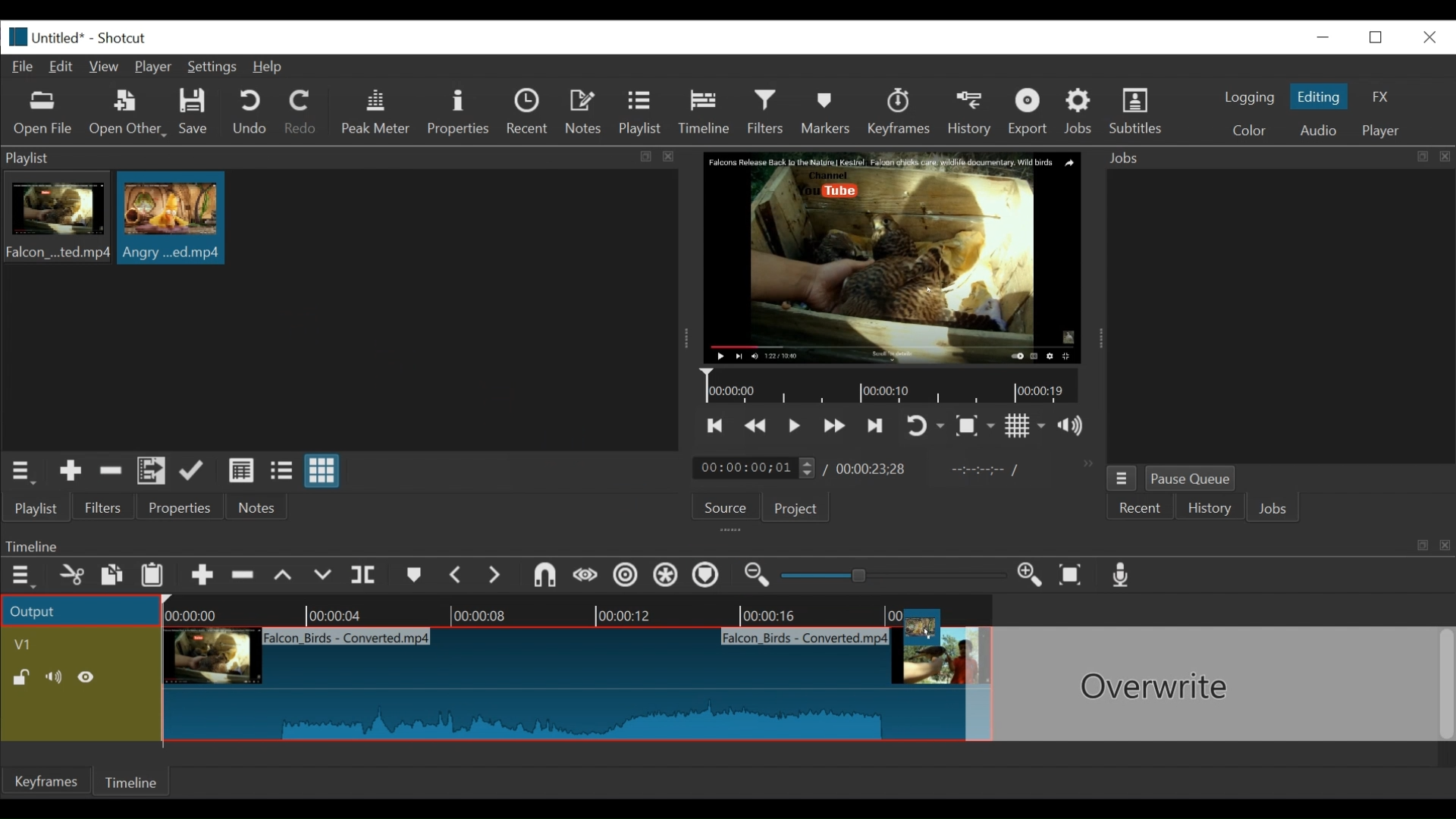  Describe the element at coordinates (81, 644) in the screenshot. I see `Video track` at that location.